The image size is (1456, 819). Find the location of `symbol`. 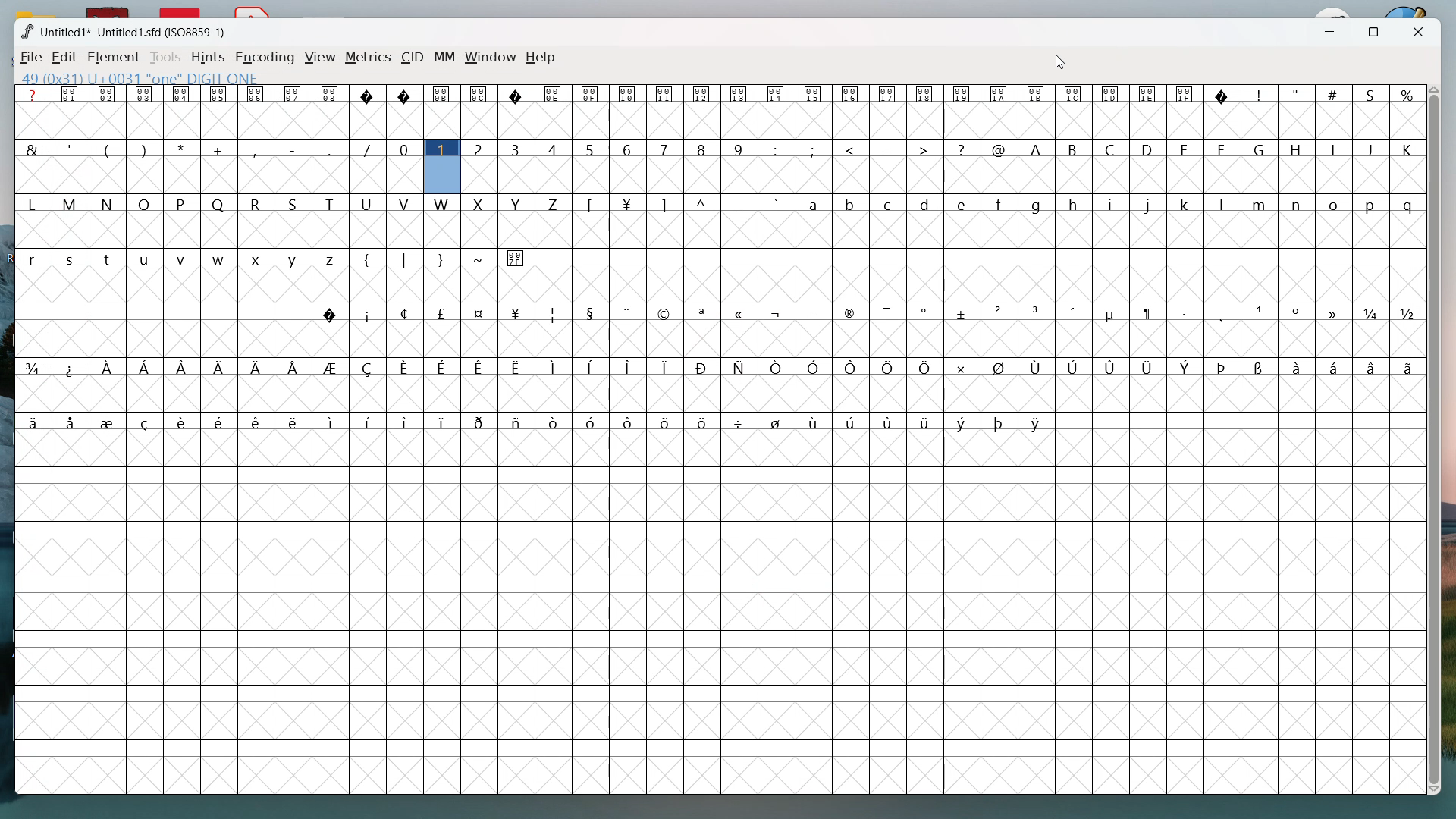

symbol is located at coordinates (331, 93).